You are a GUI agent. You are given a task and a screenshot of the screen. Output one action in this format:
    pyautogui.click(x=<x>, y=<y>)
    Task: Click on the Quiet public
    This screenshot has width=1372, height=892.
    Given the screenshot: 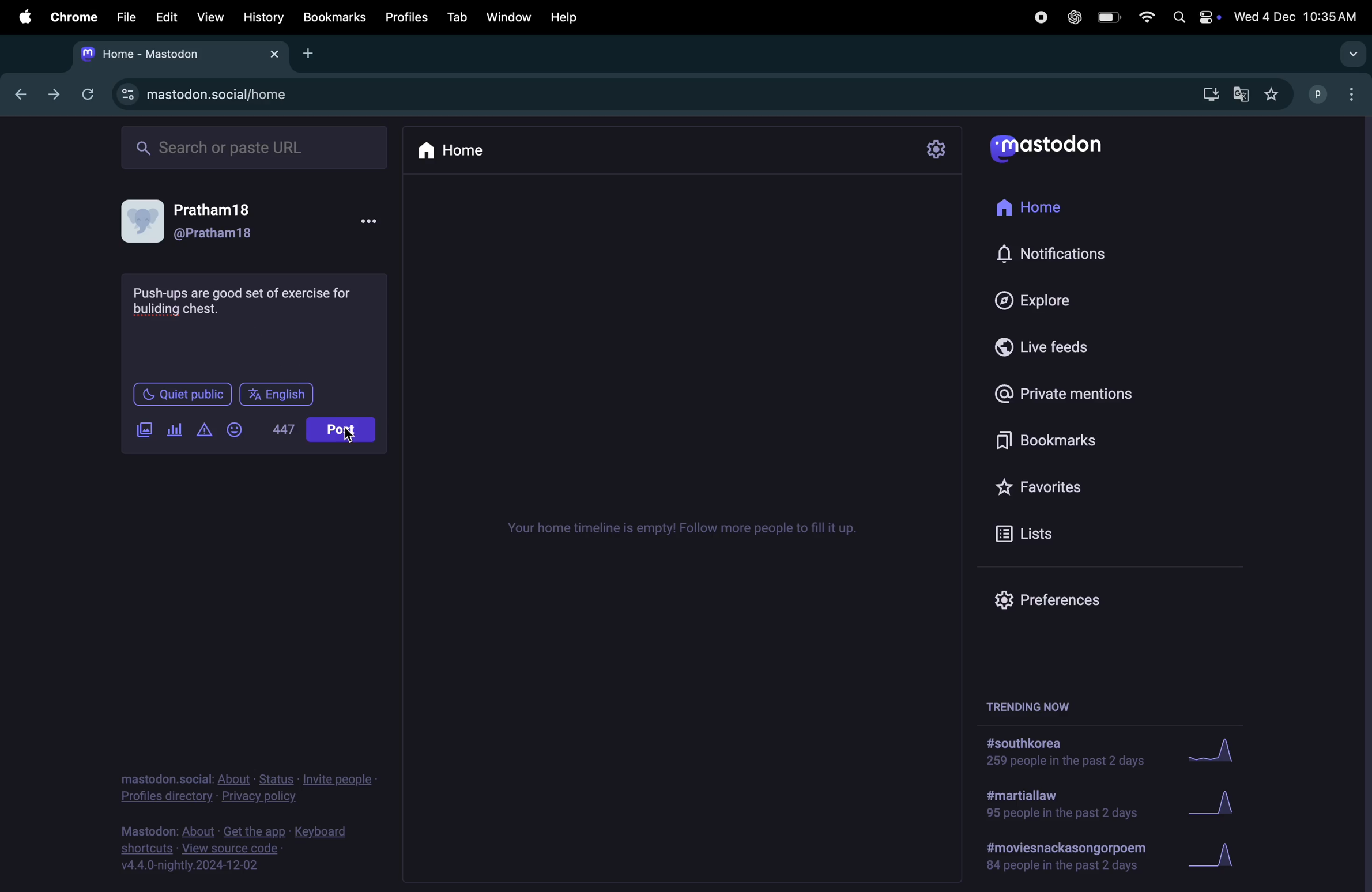 What is the action you would take?
    pyautogui.click(x=184, y=396)
    